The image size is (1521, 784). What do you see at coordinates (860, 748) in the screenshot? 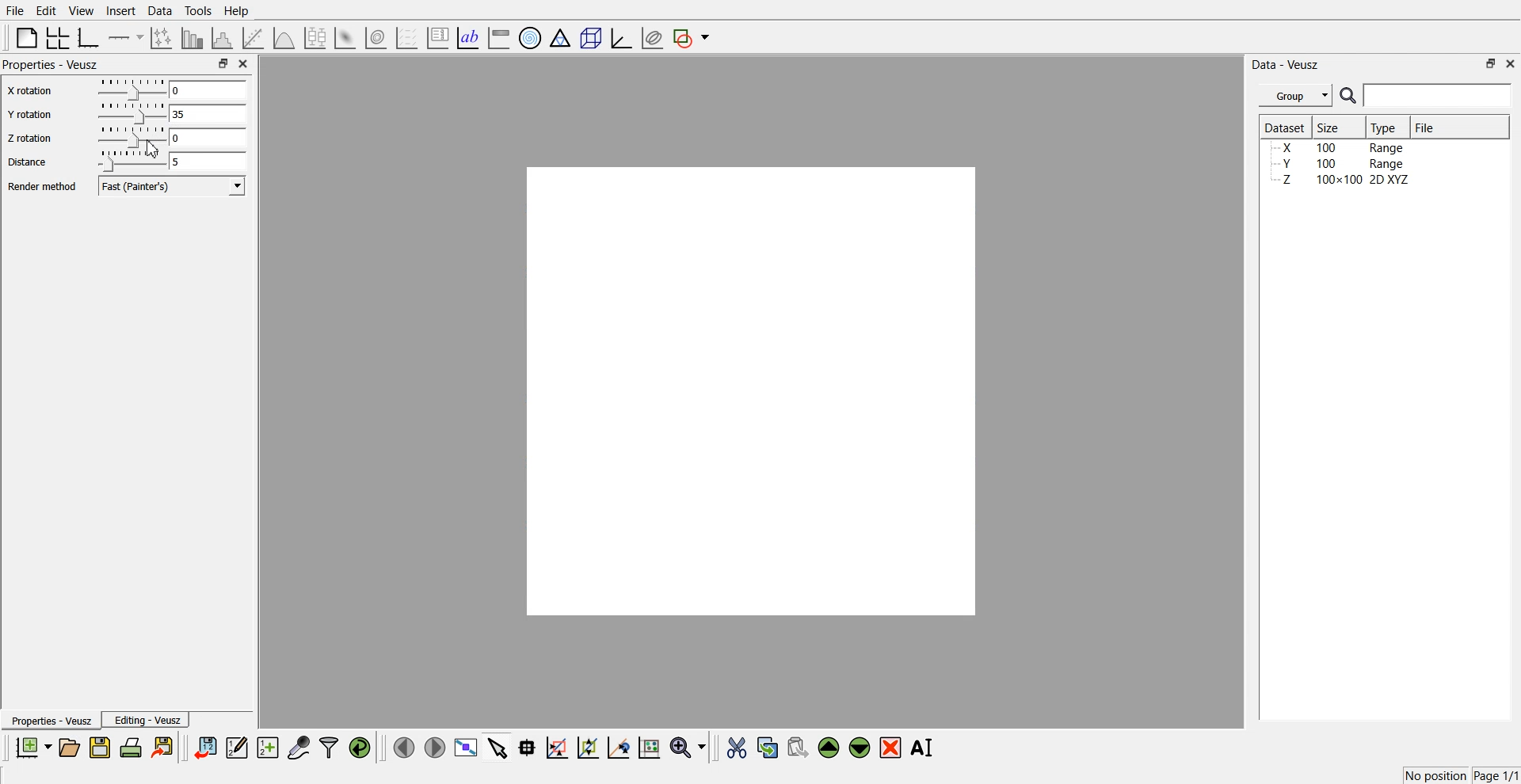
I see `Move down the selected widget` at bounding box center [860, 748].